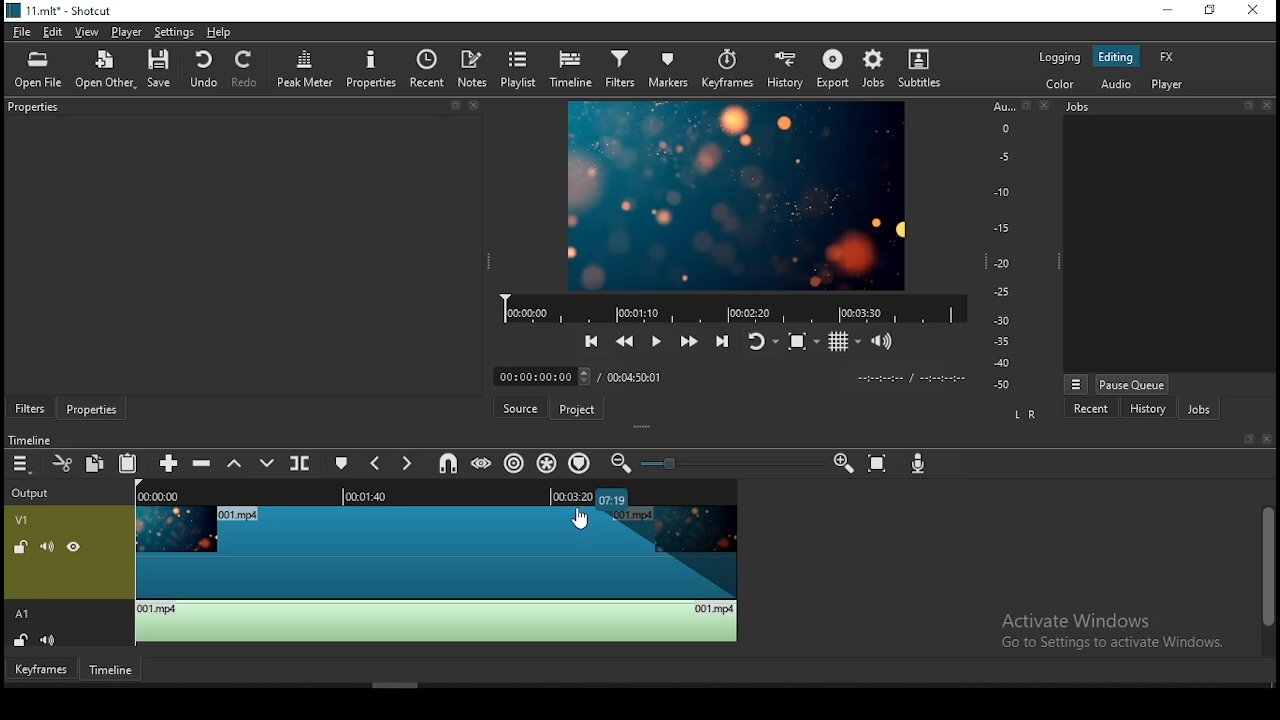 The height and width of the screenshot is (720, 1280). I want to click on split at playhead, so click(303, 462).